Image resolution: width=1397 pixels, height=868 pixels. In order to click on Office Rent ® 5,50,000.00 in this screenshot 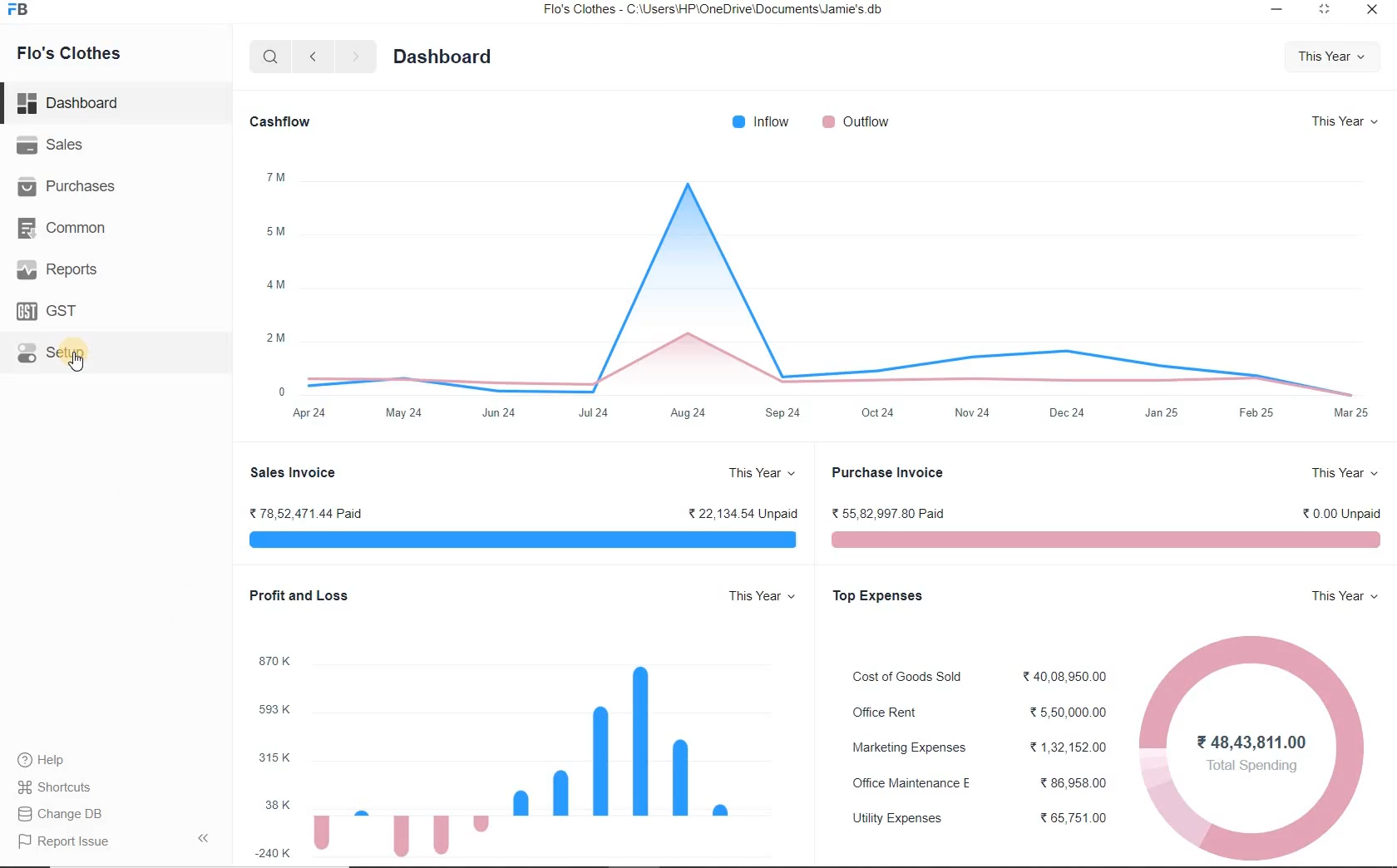, I will do `click(979, 713)`.